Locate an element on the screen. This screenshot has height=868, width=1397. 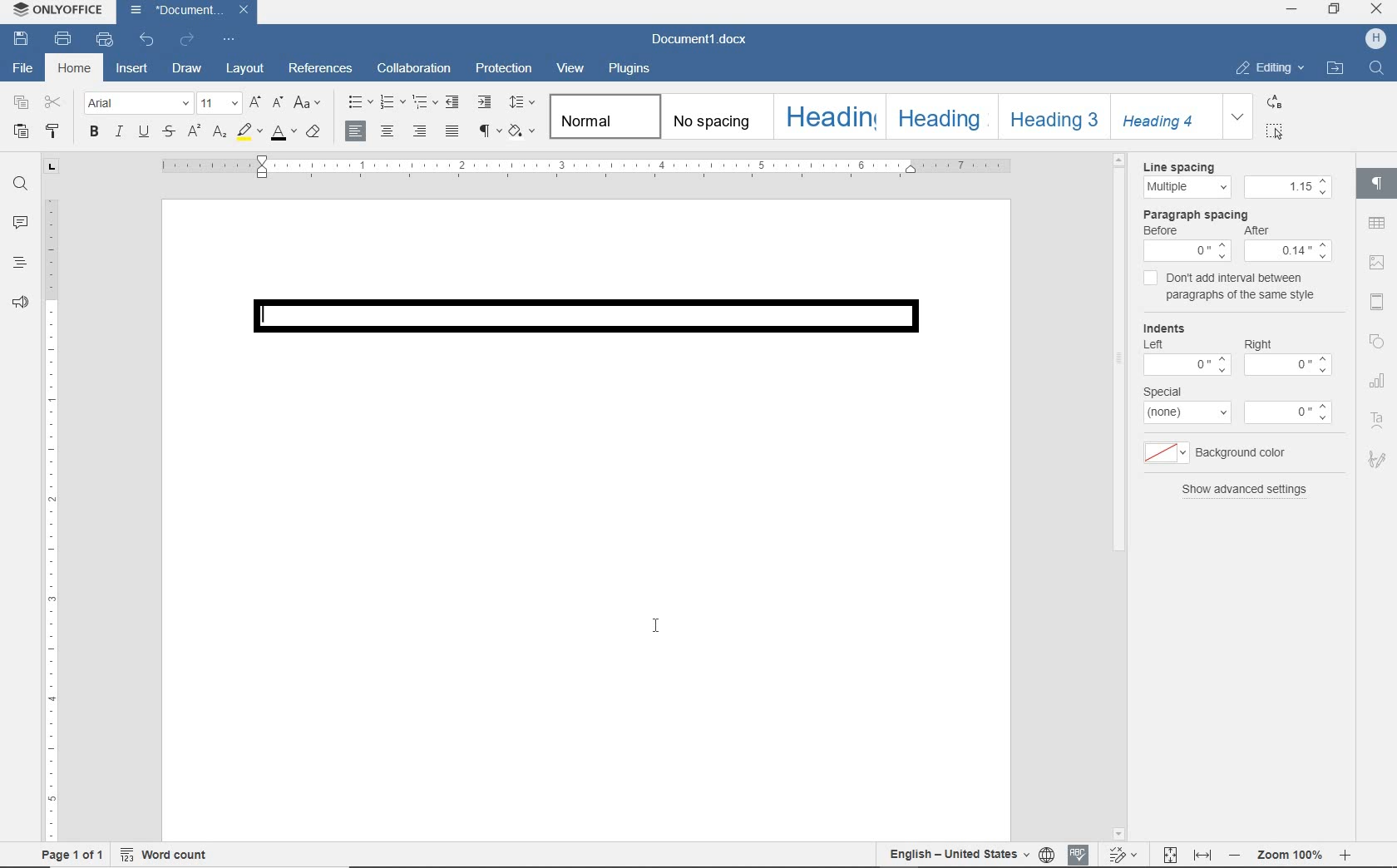
change case is located at coordinates (309, 104).